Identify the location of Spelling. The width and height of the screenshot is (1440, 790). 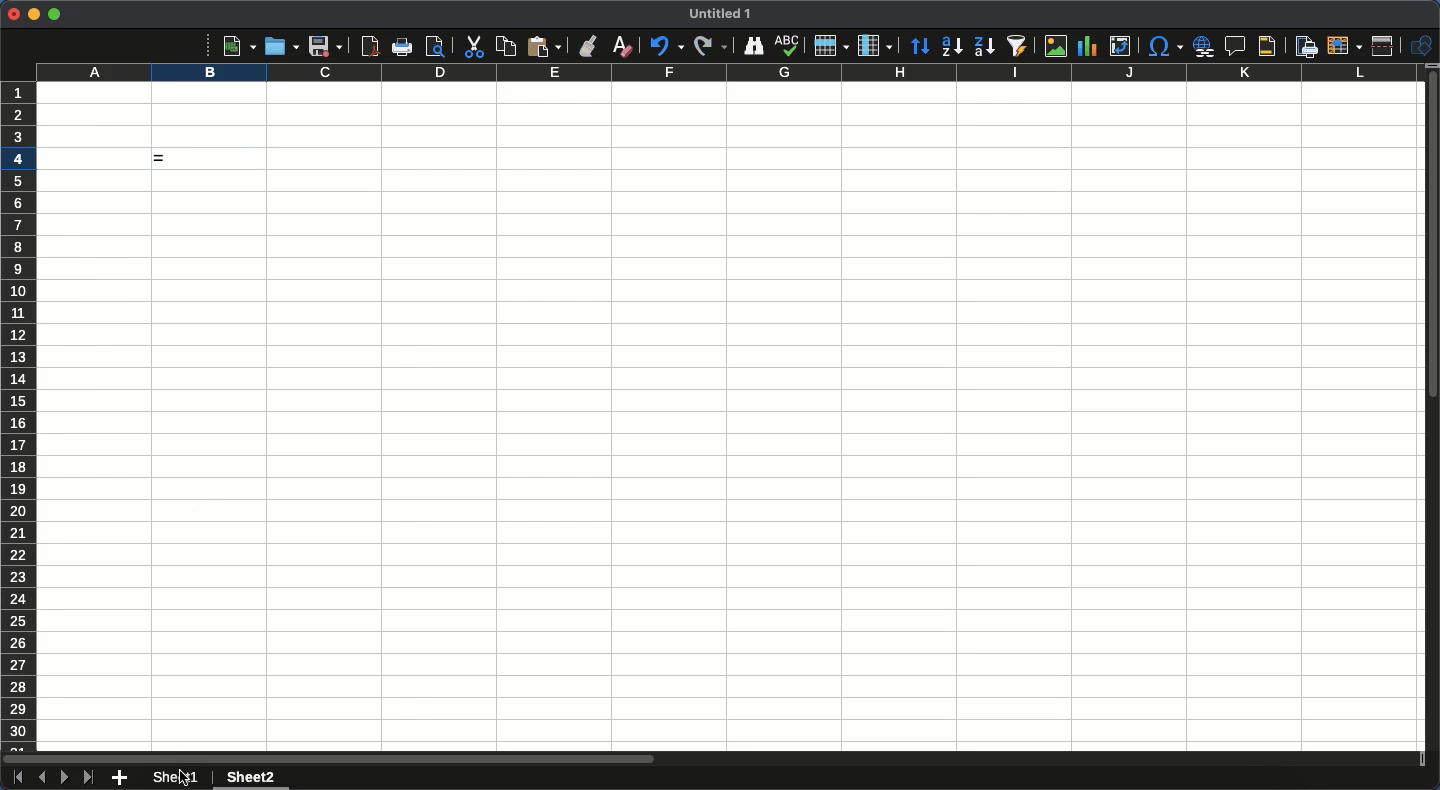
(787, 46).